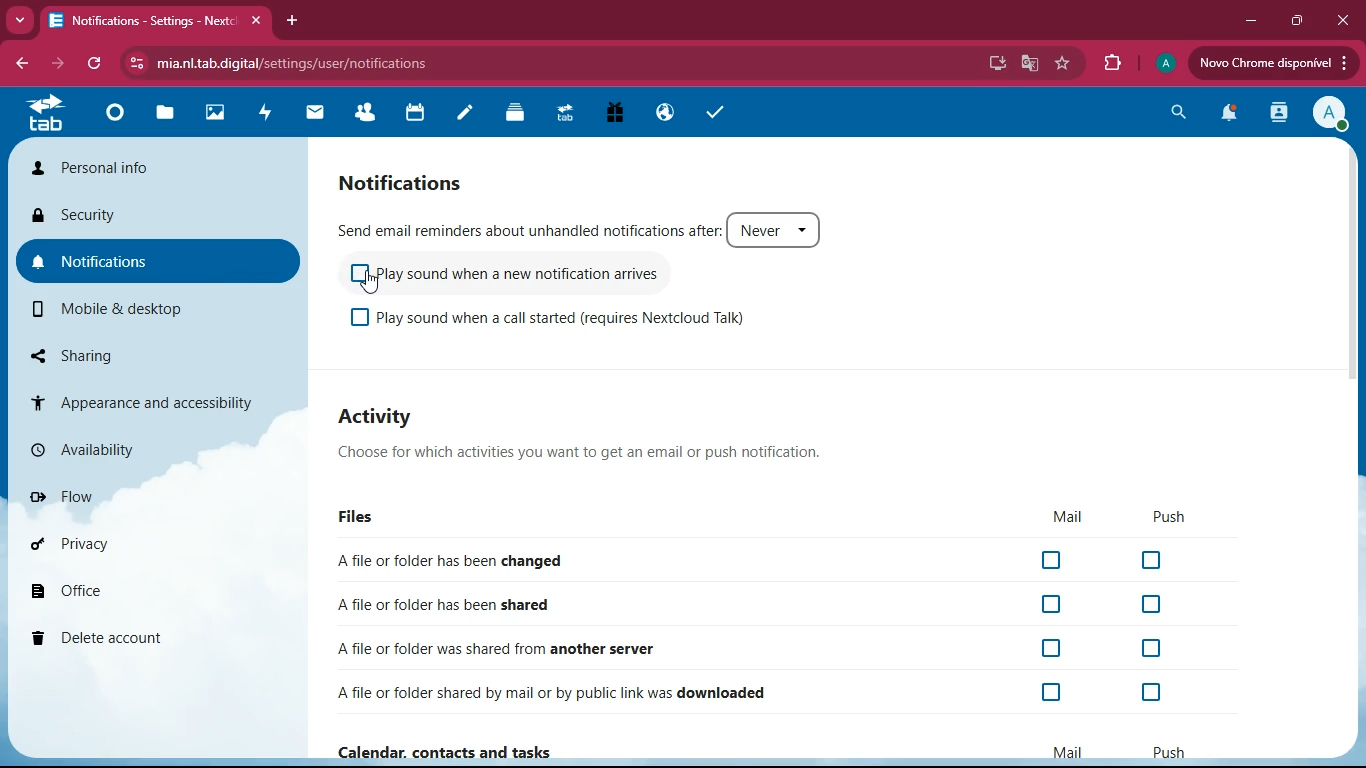 Image resolution: width=1366 pixels, height=768 pixels. Describe the element at coordinates (1054, 517) in the screenshot. I see `mail` at that location.